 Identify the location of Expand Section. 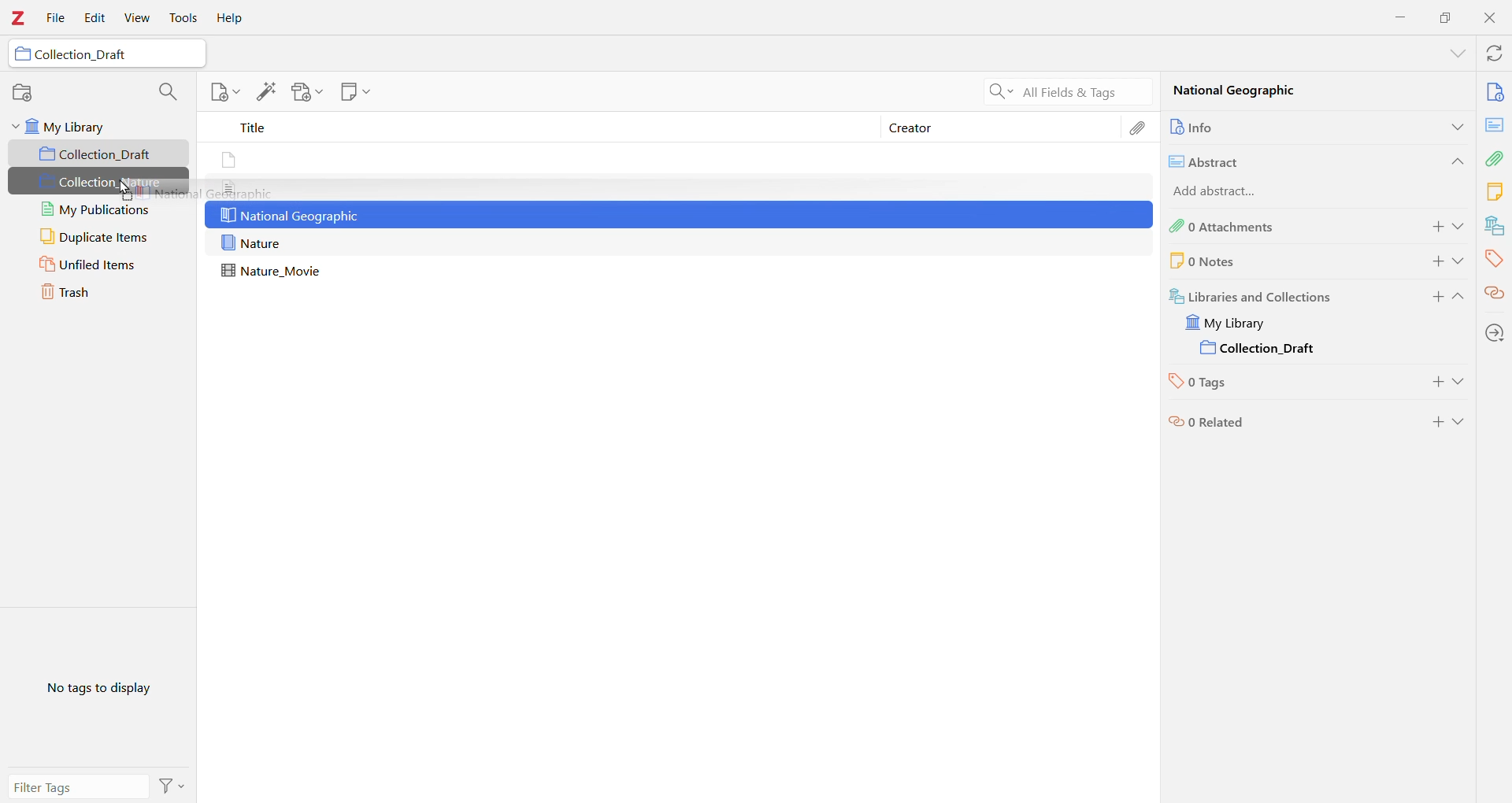
(1459, 299).